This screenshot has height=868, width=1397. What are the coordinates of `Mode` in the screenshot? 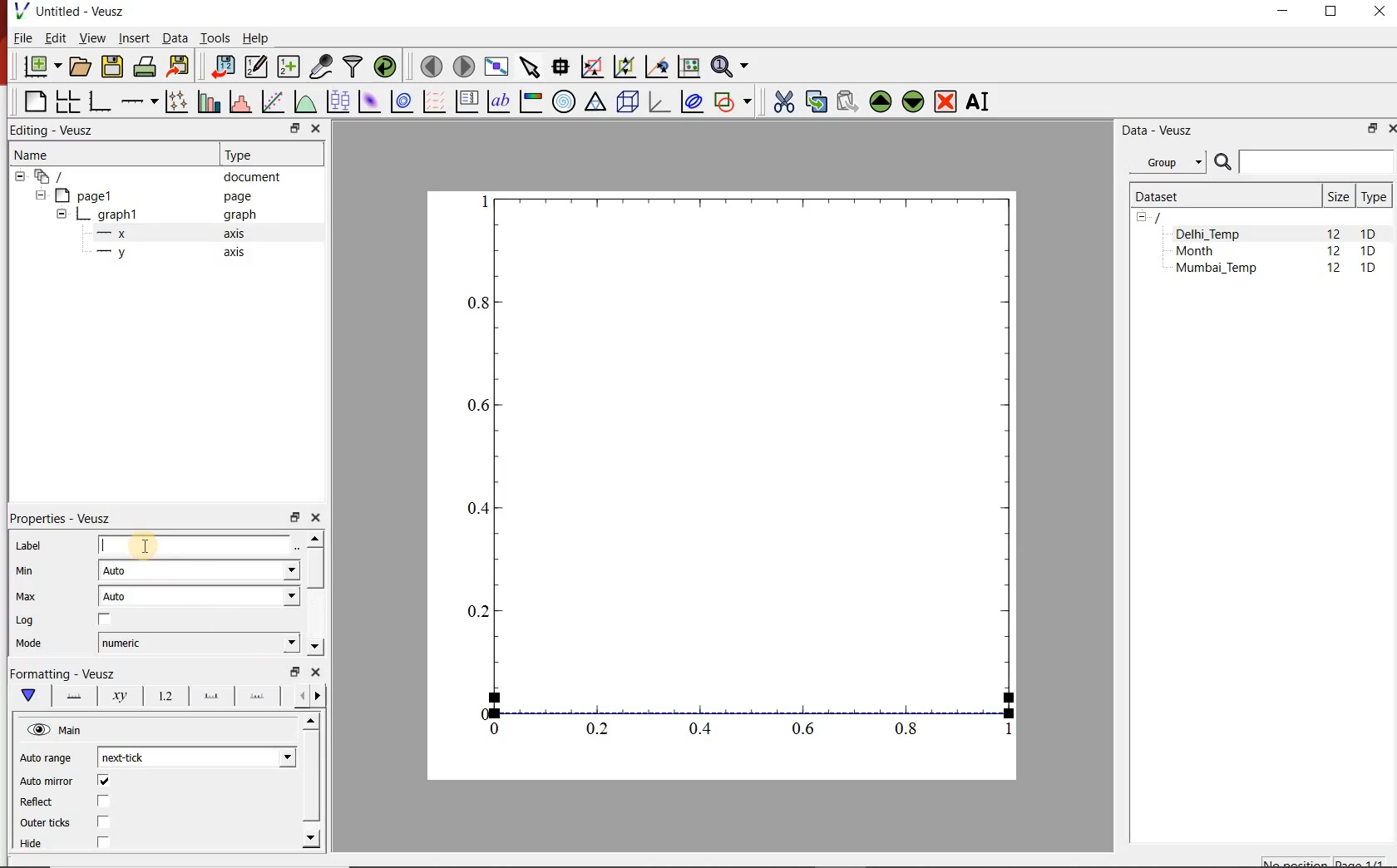 It's located at (28, 645).